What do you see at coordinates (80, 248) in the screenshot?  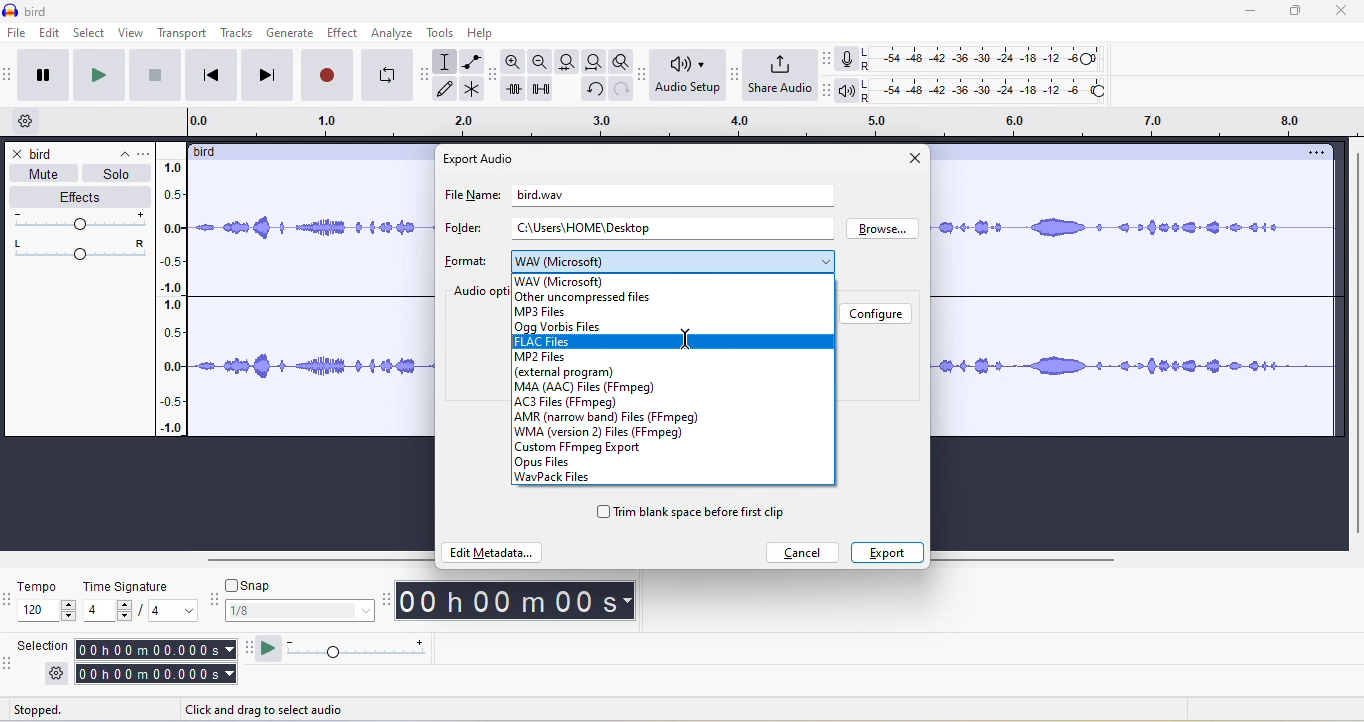 I see `pan:  center` at bounding box center [80, 248].